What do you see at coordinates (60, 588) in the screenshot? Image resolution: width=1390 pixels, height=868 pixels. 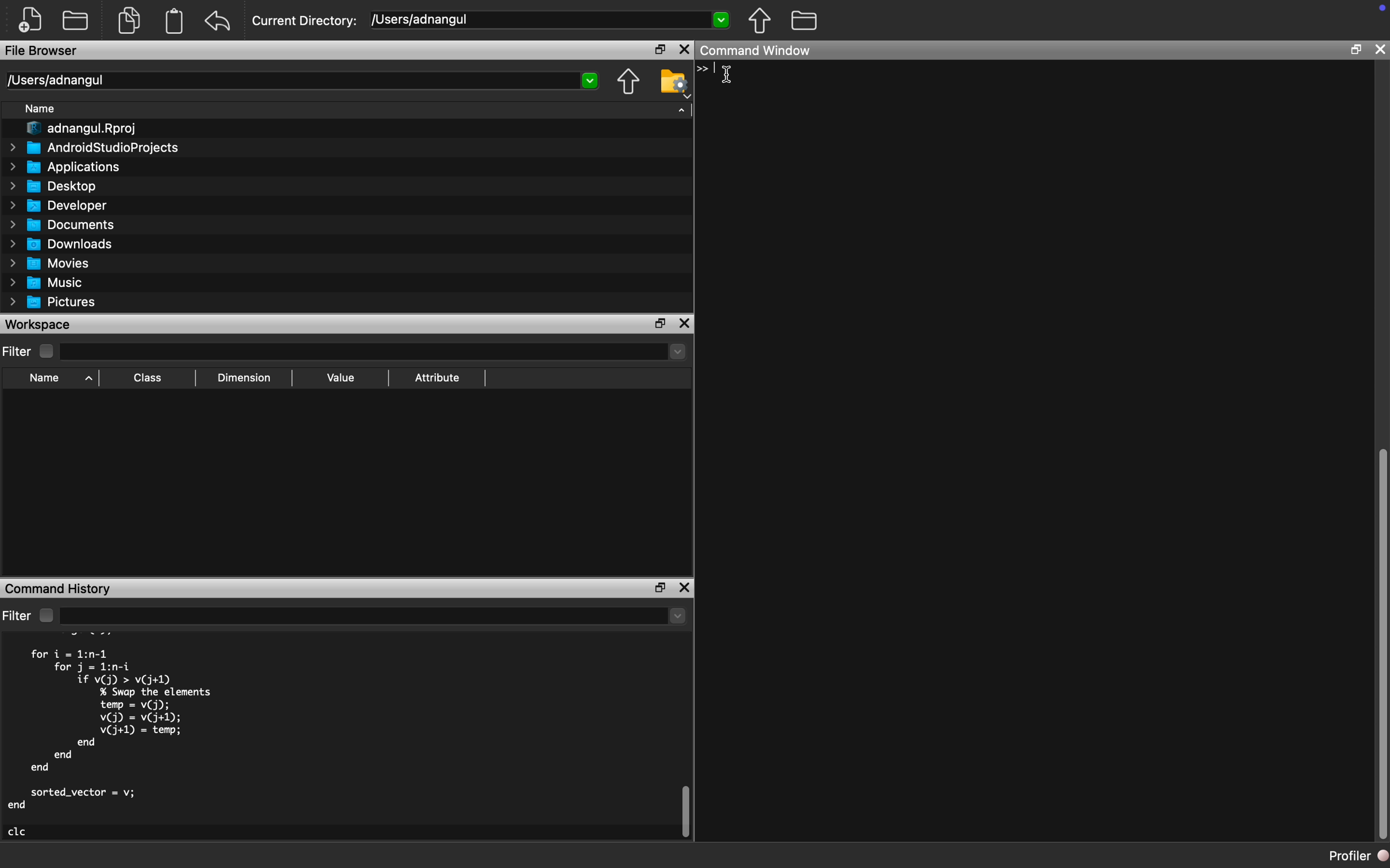 I see `Command History` at bounding box center [60, 588].